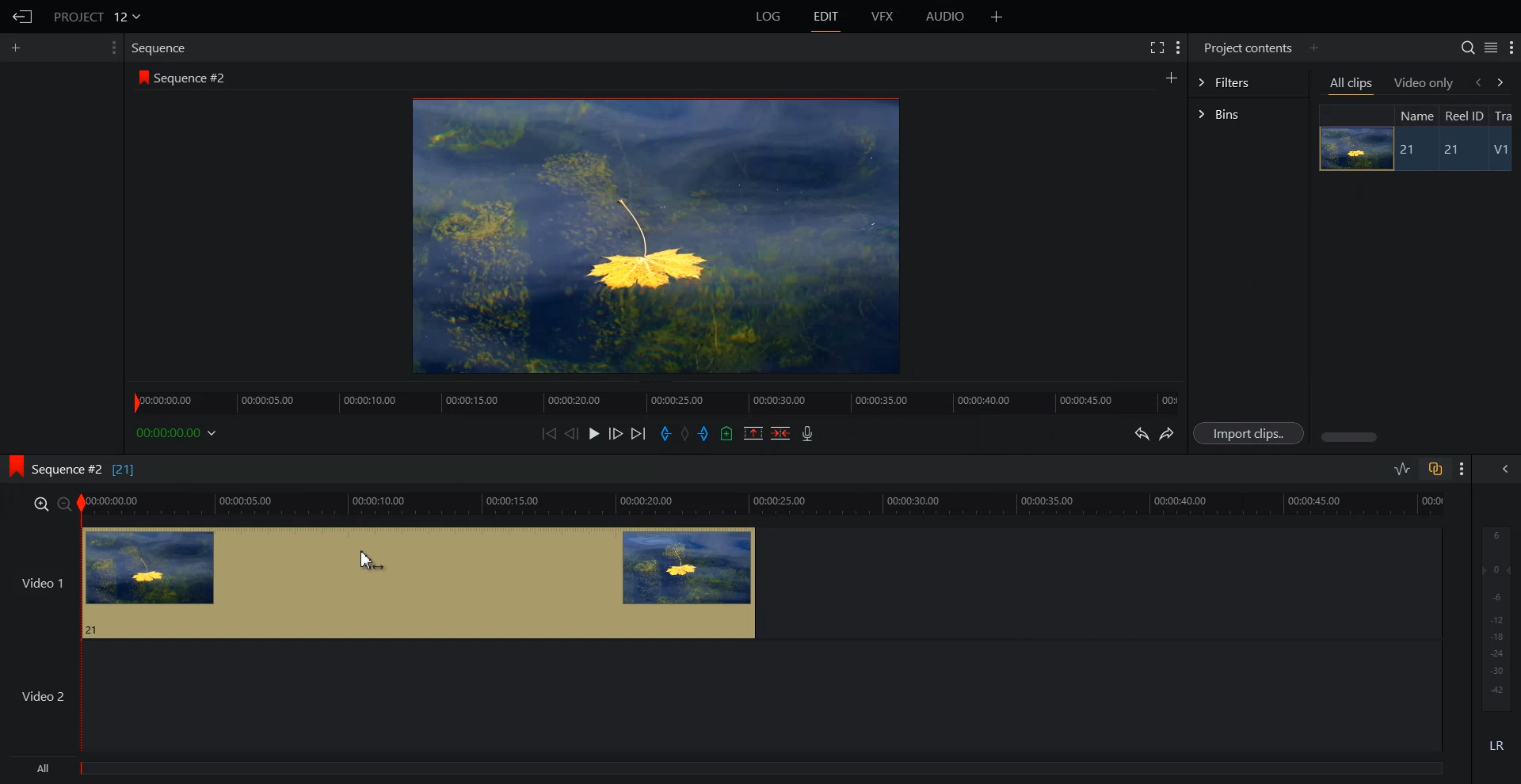  Describe the element at coordinates (827, 17) in the screenshot. I see `EDIT` at that location.